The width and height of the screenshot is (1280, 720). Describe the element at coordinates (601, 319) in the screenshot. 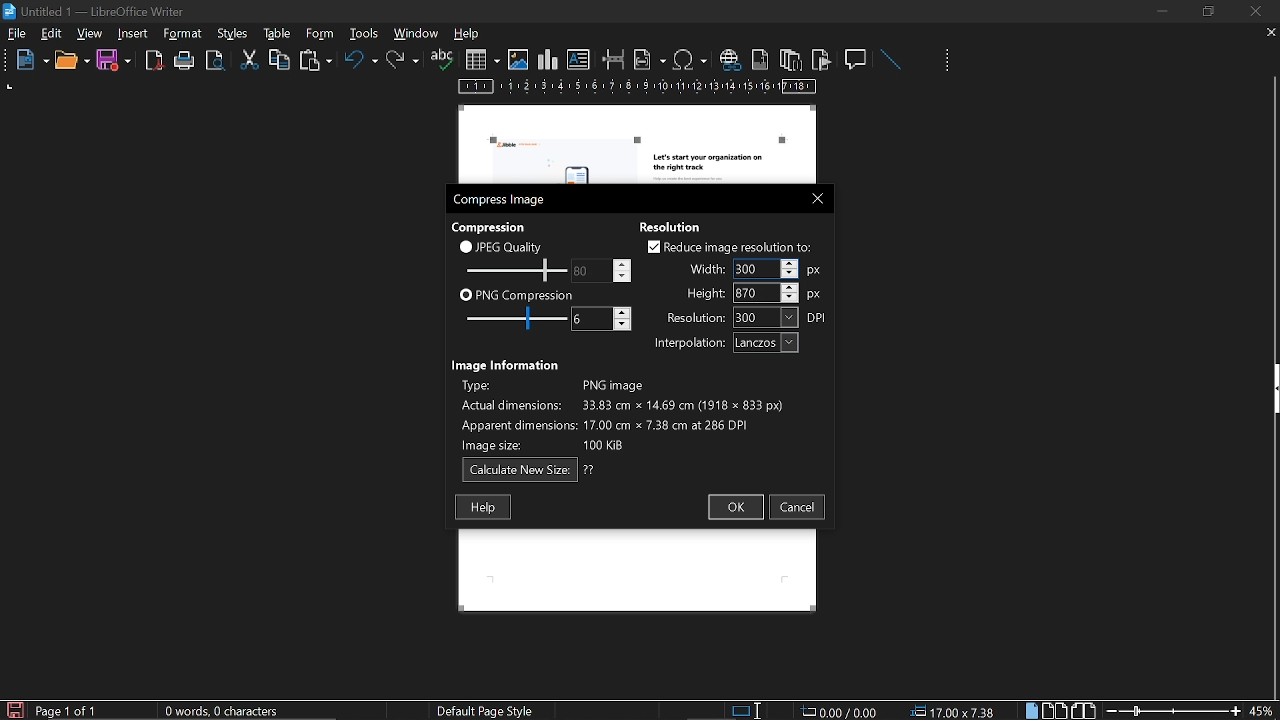

I see `change png compression` at that location.